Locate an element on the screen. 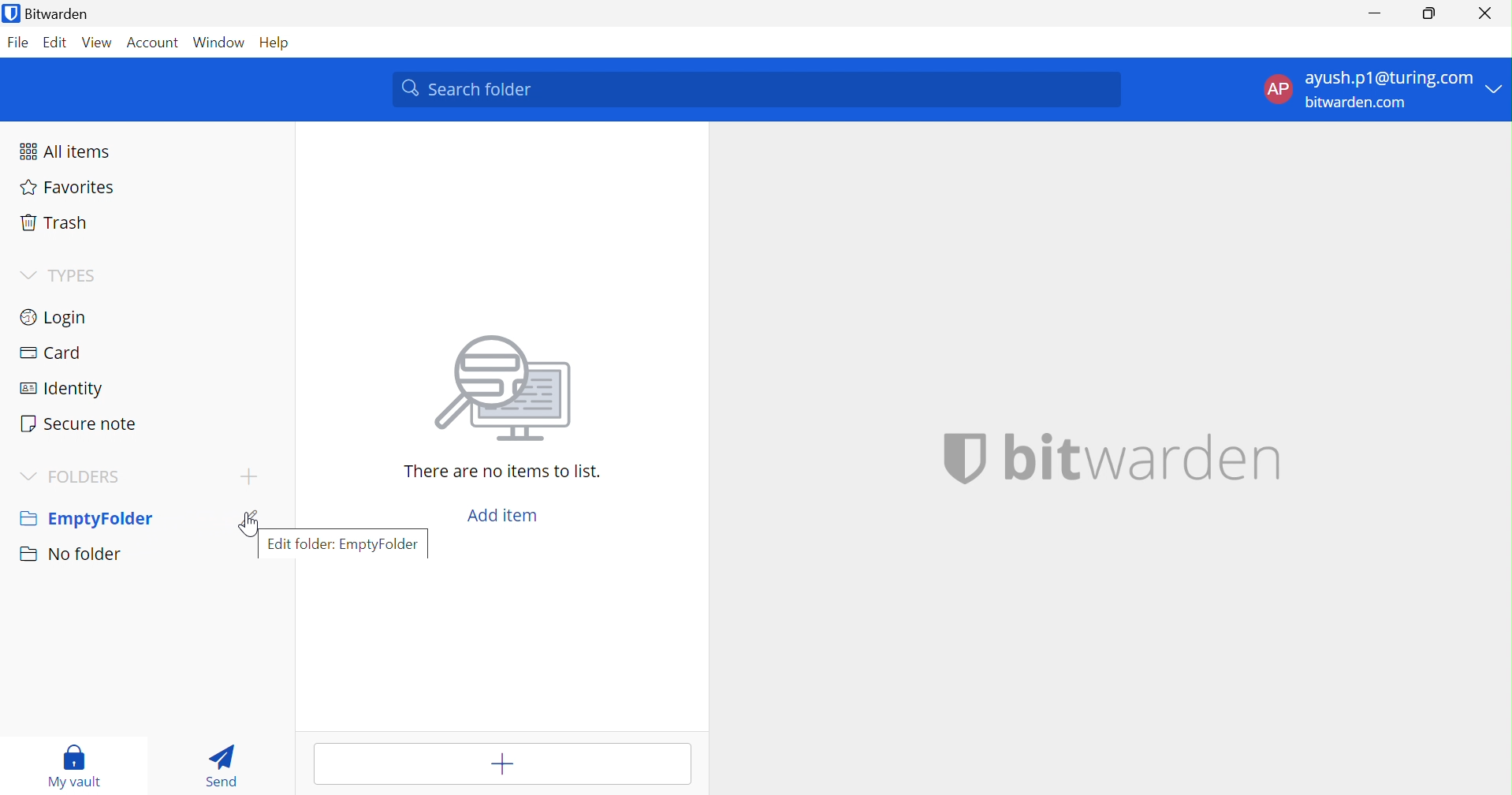 This screenshot has width=1512, height=795. View is located at coordinates (97, 43).